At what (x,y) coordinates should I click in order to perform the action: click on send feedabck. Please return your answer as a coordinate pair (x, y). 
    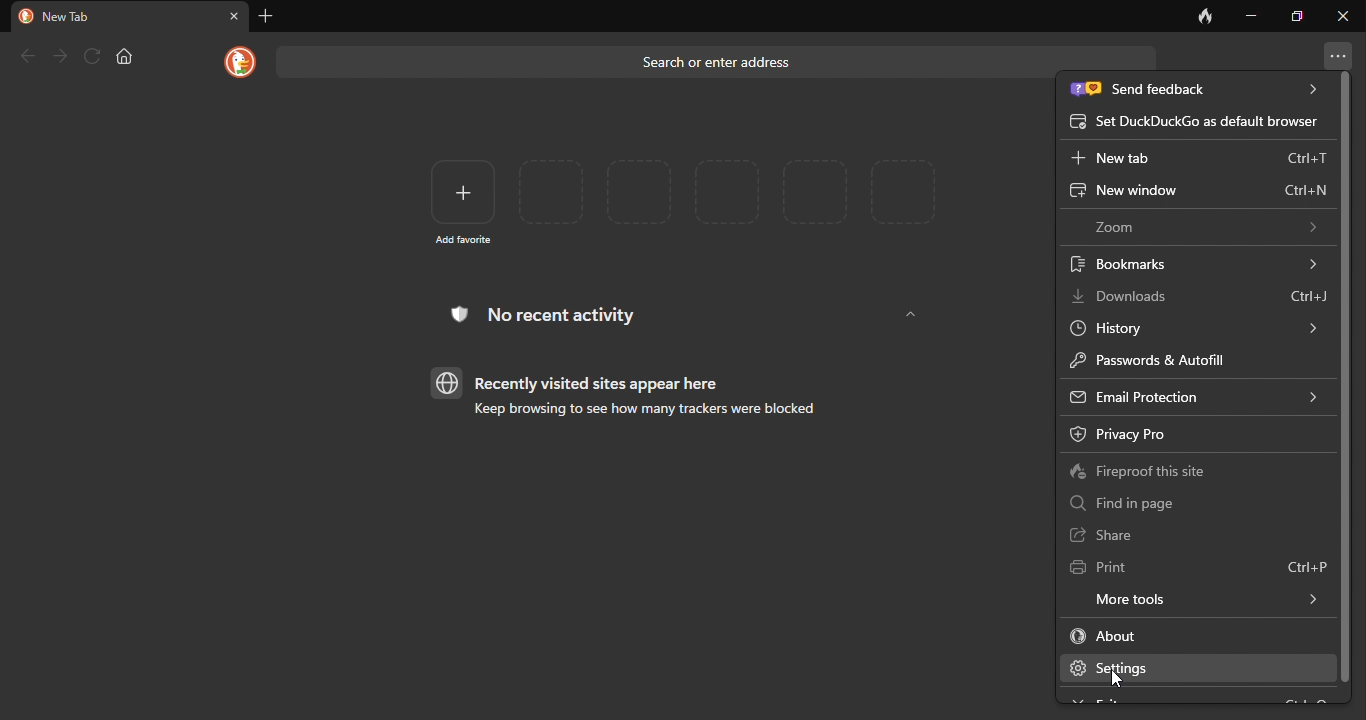
    Looking at the image, I should click on (1197, 89).